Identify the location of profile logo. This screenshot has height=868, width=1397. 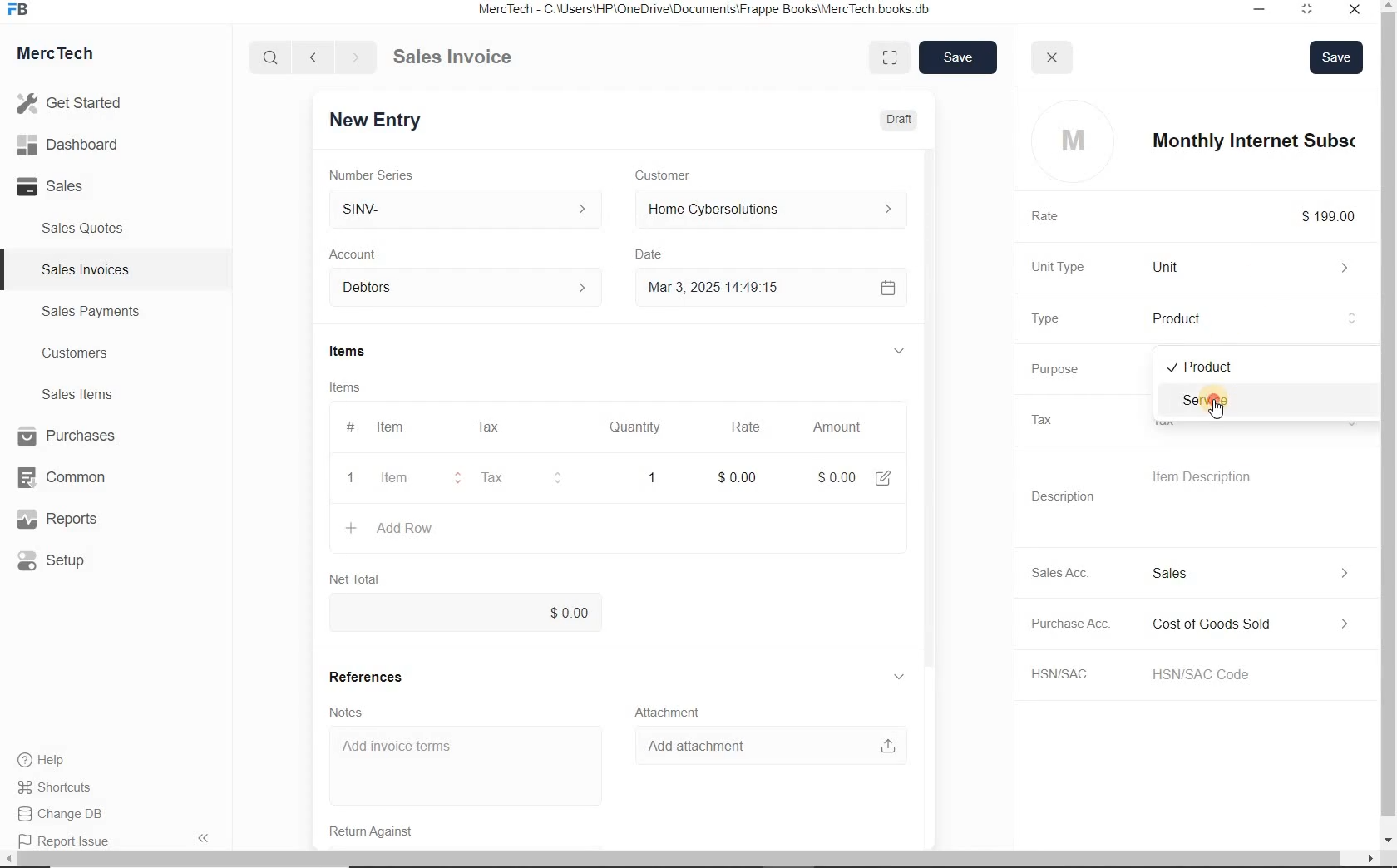
(1072, 141).